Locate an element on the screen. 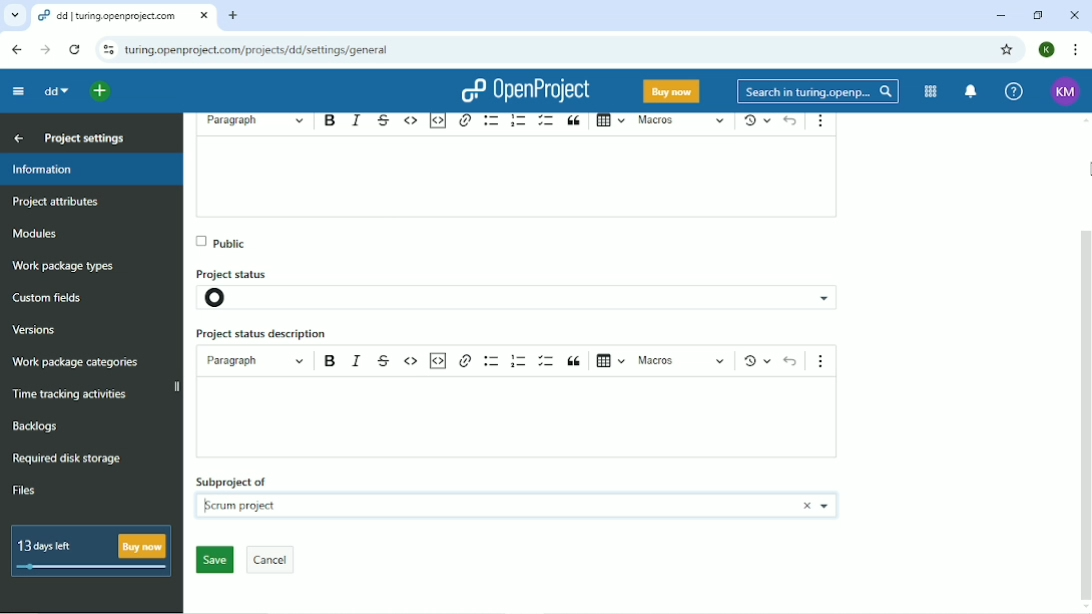 The width and height of the screenshot is (1092, 614). Italic is located at coordinates (356, 120).